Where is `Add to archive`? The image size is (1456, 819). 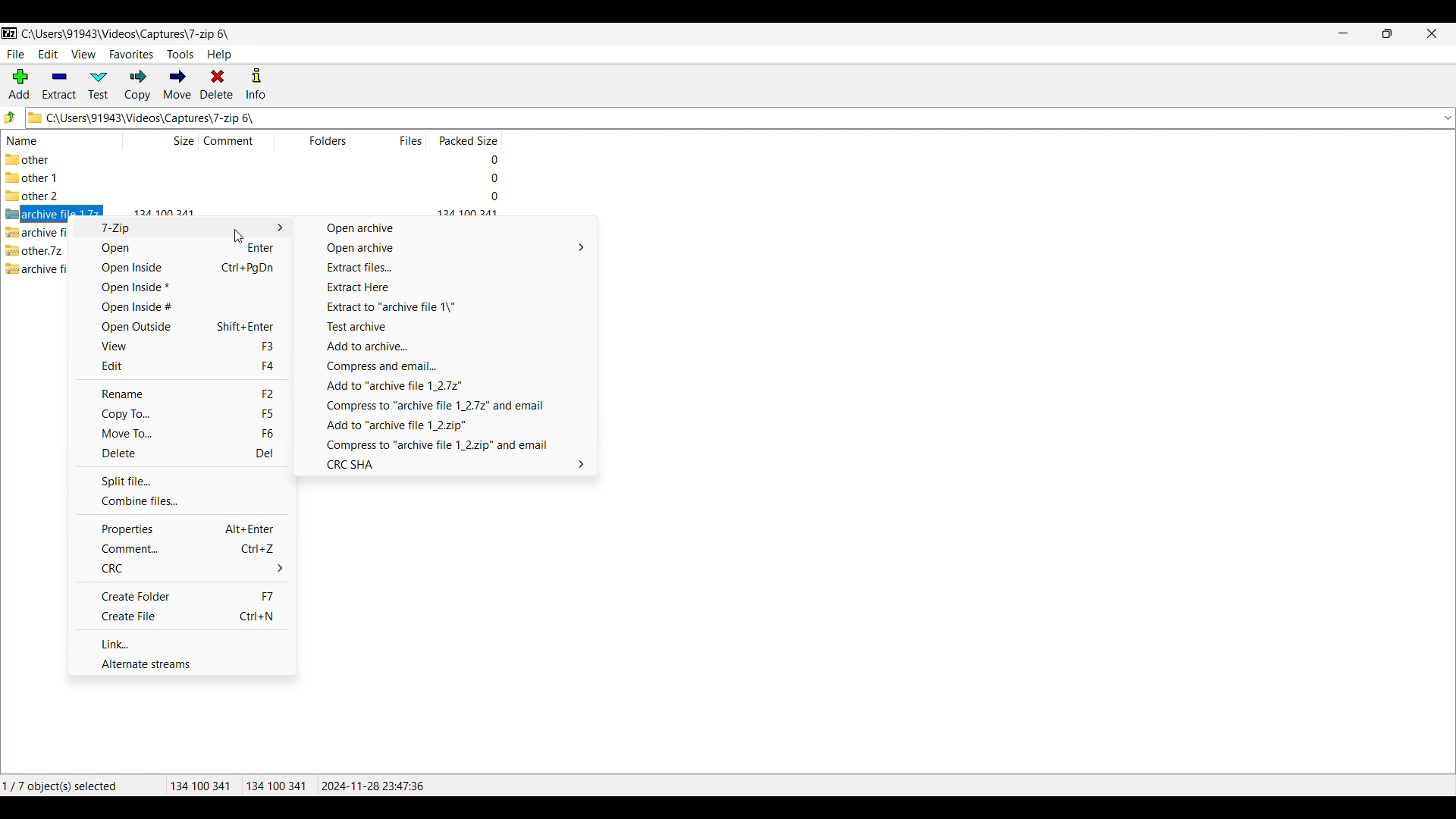
Add to archive is located at coordinates (446, 347).